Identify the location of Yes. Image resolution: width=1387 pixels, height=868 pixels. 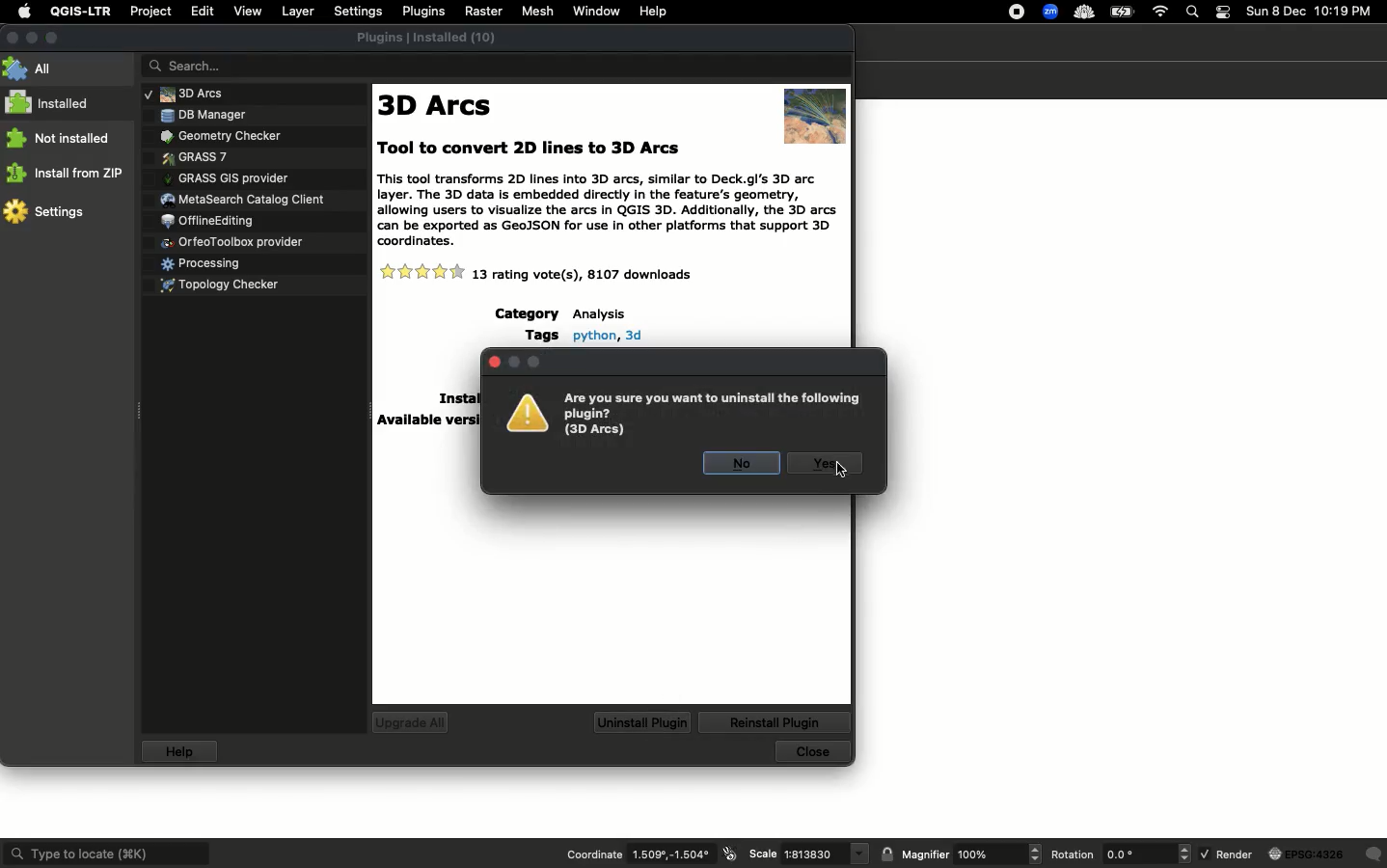
(823, 466).